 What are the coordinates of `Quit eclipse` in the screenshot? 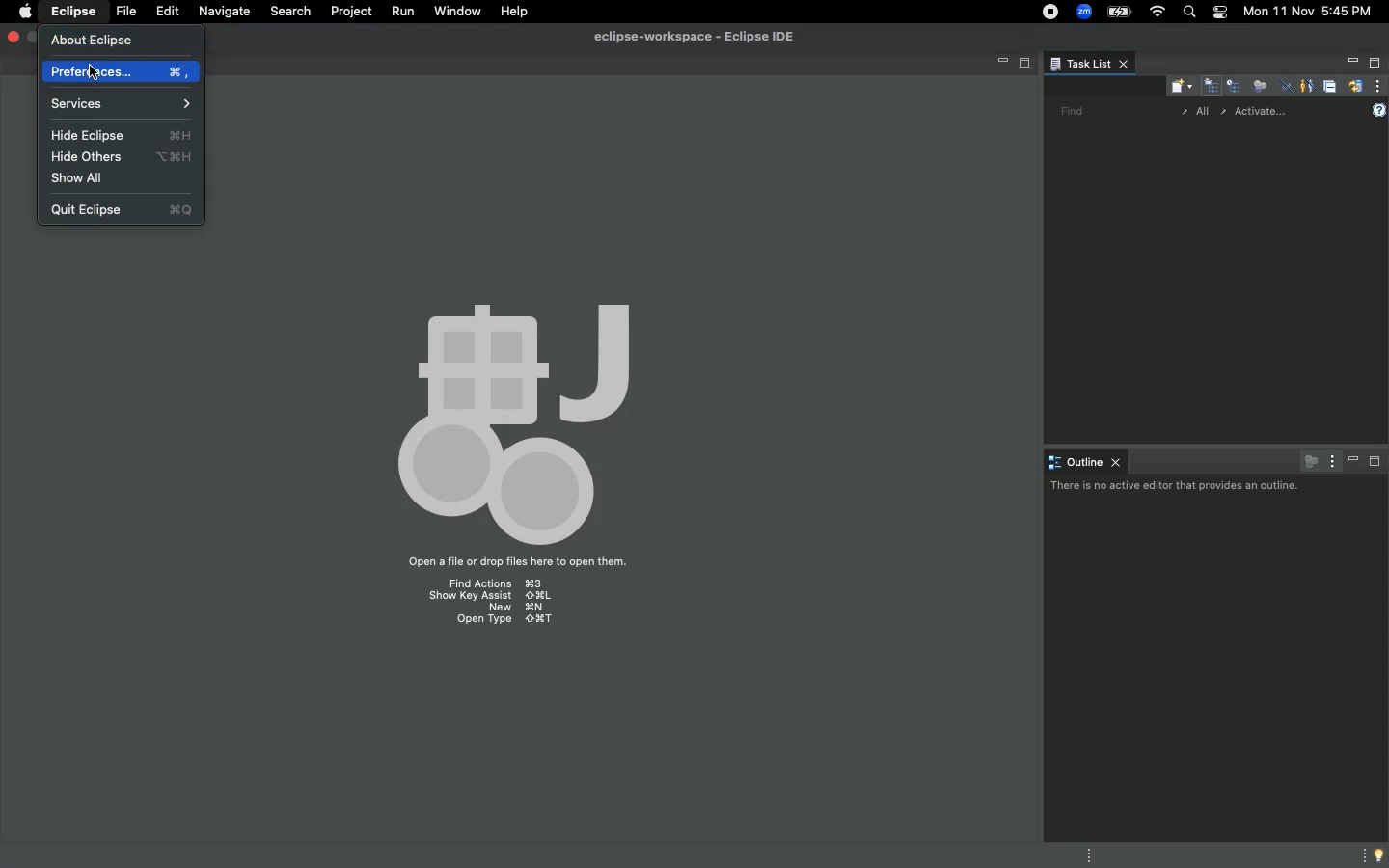 It's located at (123, 208).